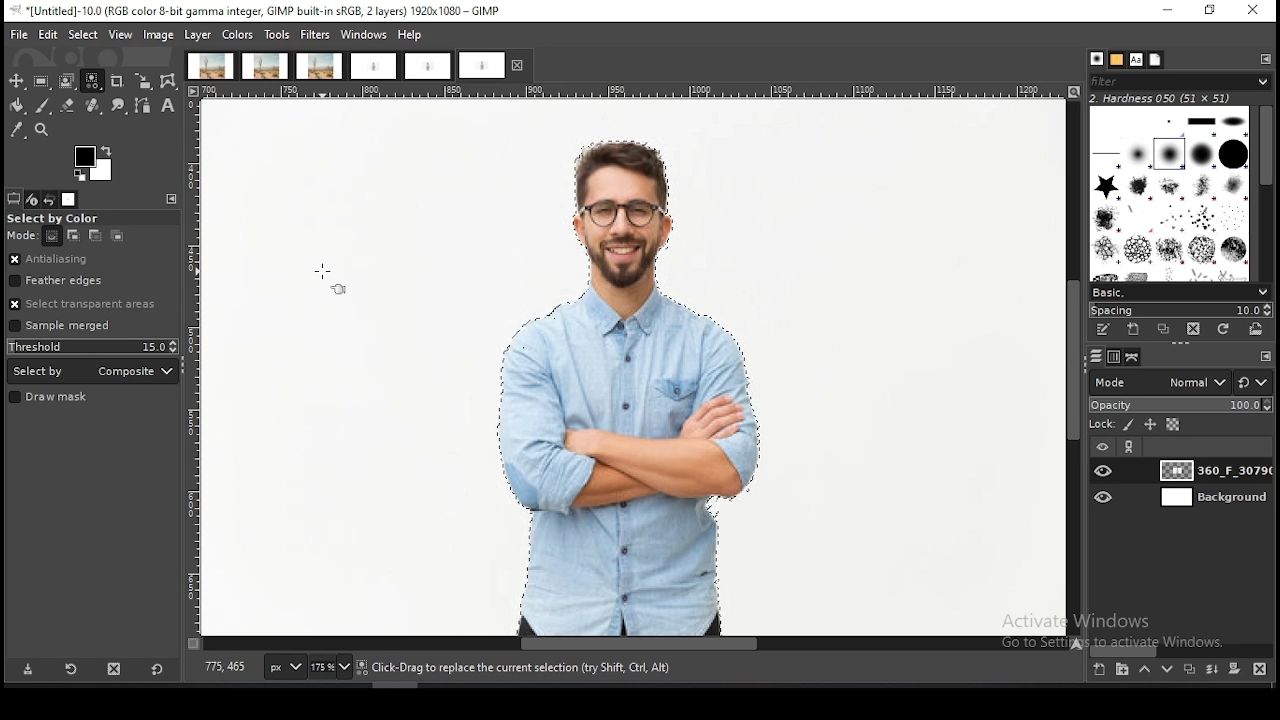  Describe the element at coordinates (364, 35) in the screenshot. I see `windows` at that location.